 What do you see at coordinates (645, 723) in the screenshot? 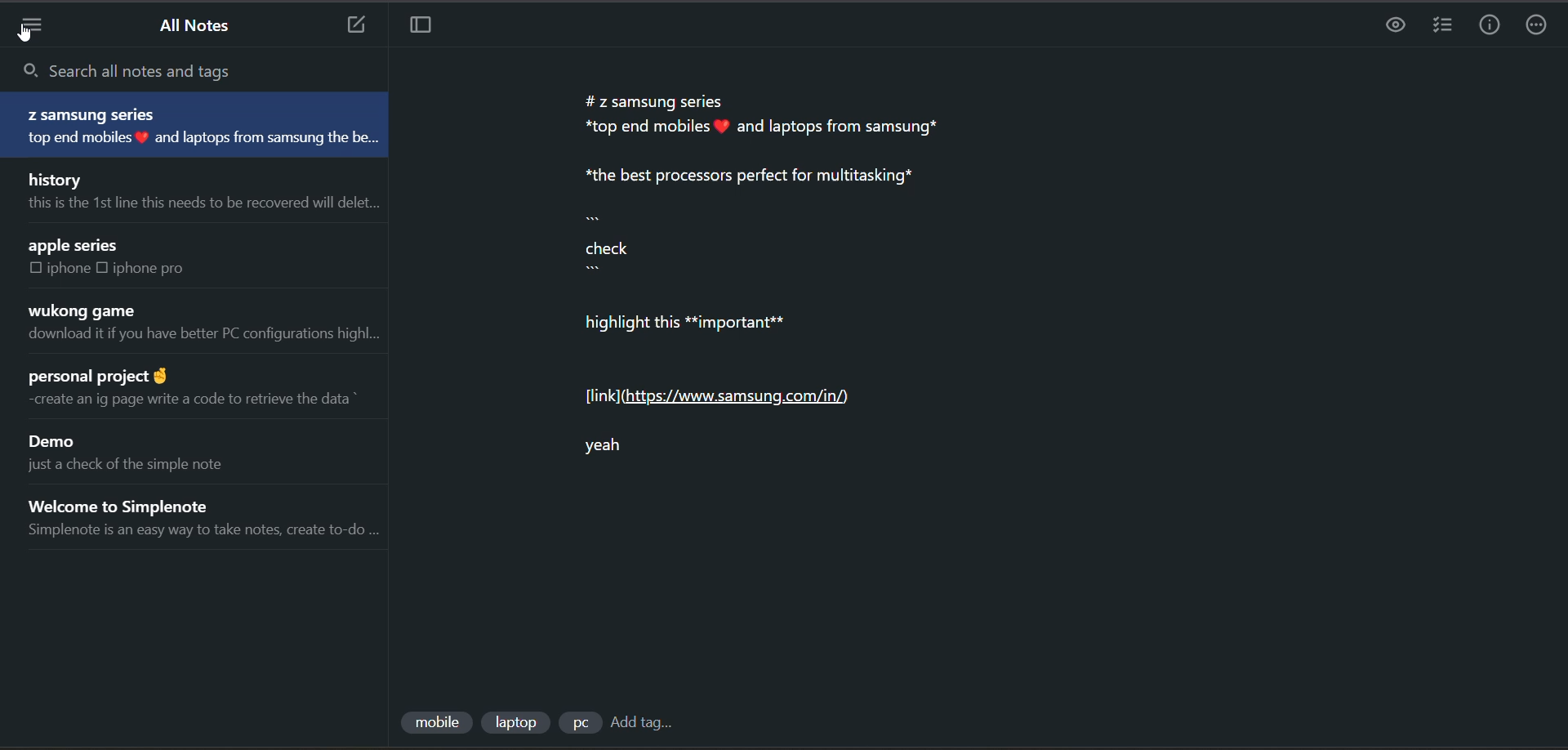
I see `add tag` at bounding box center [645, 723].